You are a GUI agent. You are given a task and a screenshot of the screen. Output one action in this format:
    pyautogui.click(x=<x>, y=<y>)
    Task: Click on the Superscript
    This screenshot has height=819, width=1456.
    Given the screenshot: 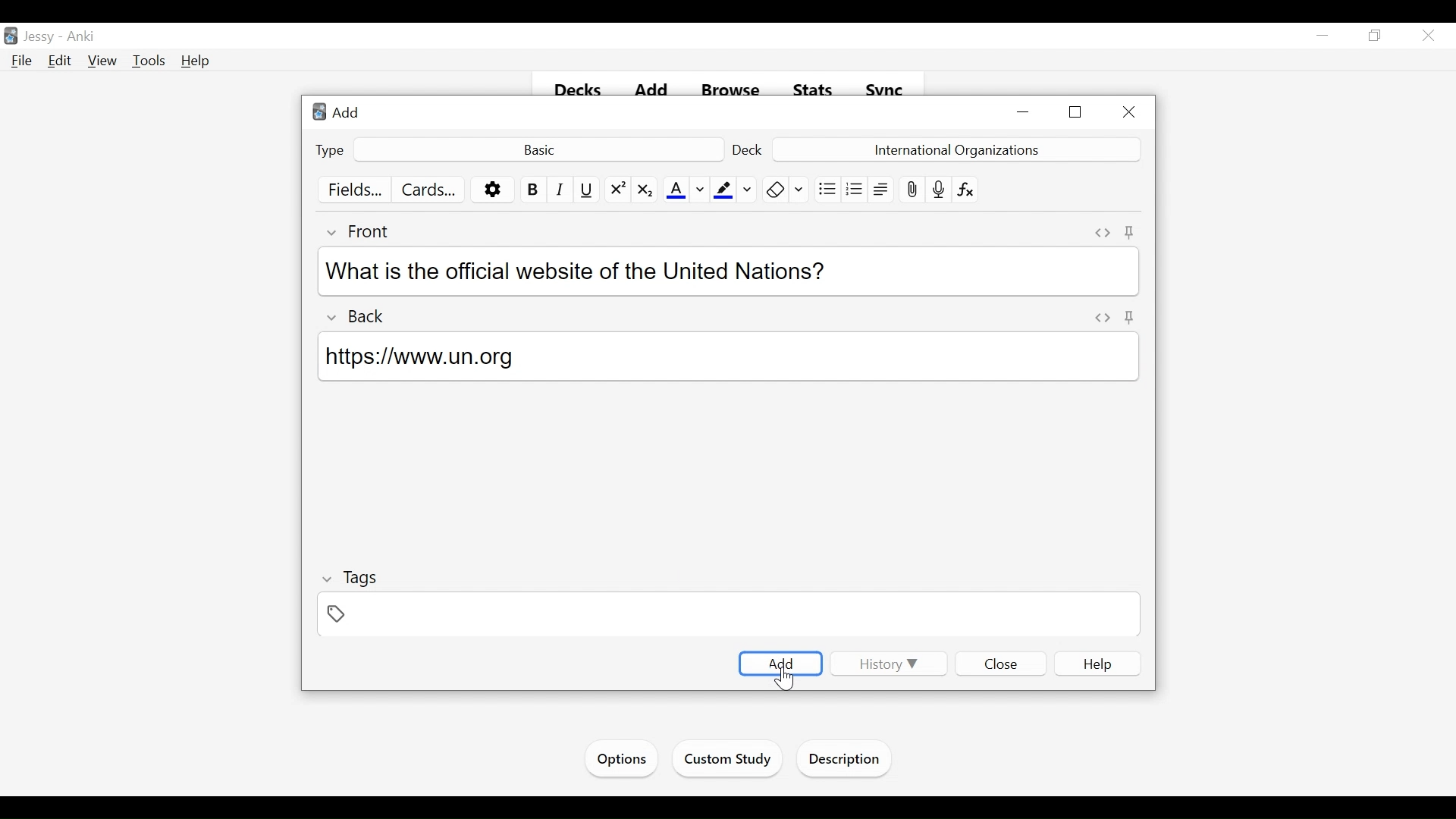 What is the action you would take?
    pyautogui.click(x=616, y=190)
    